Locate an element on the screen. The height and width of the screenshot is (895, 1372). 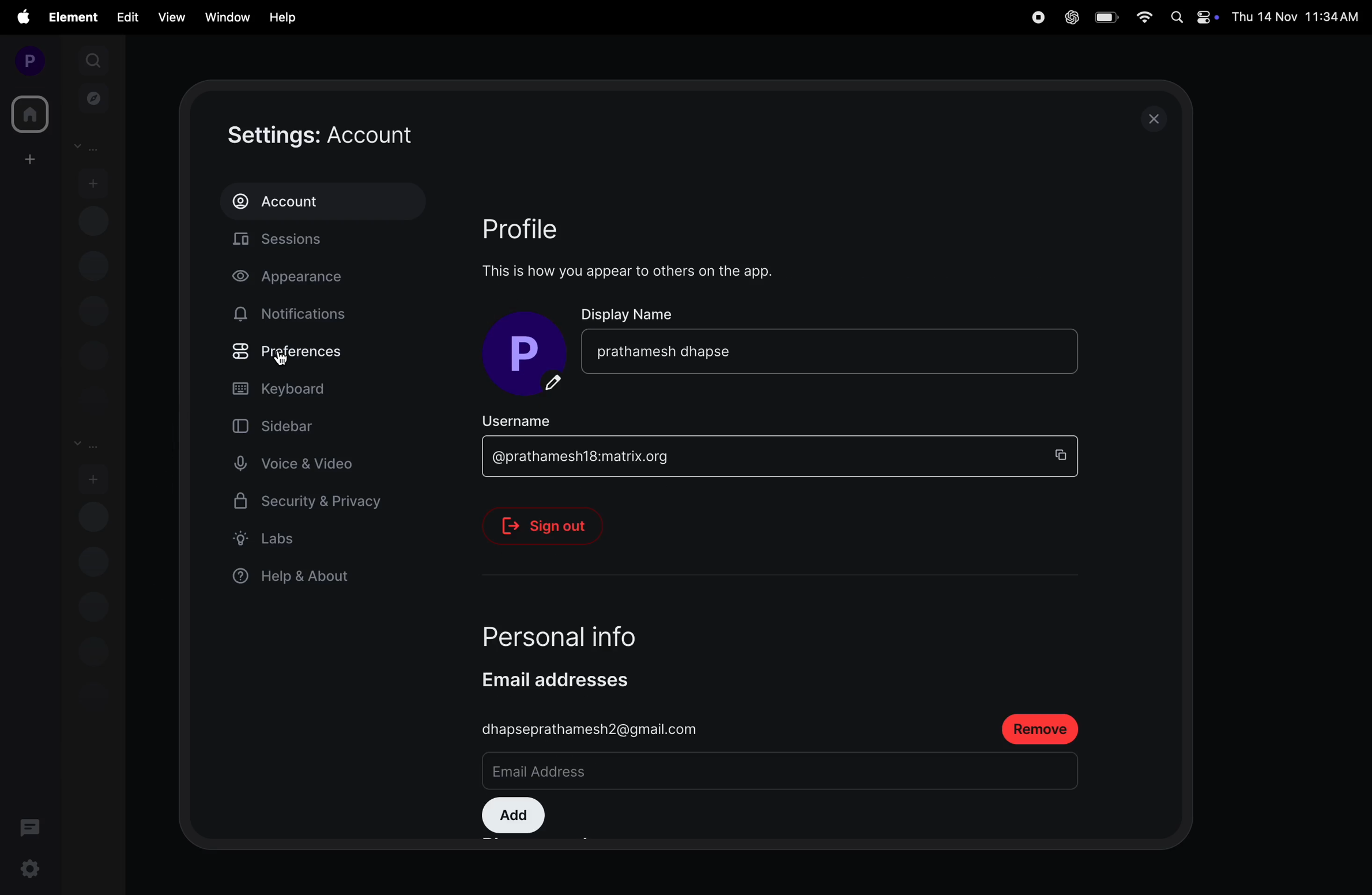
element is located at coordinates (70, 16).